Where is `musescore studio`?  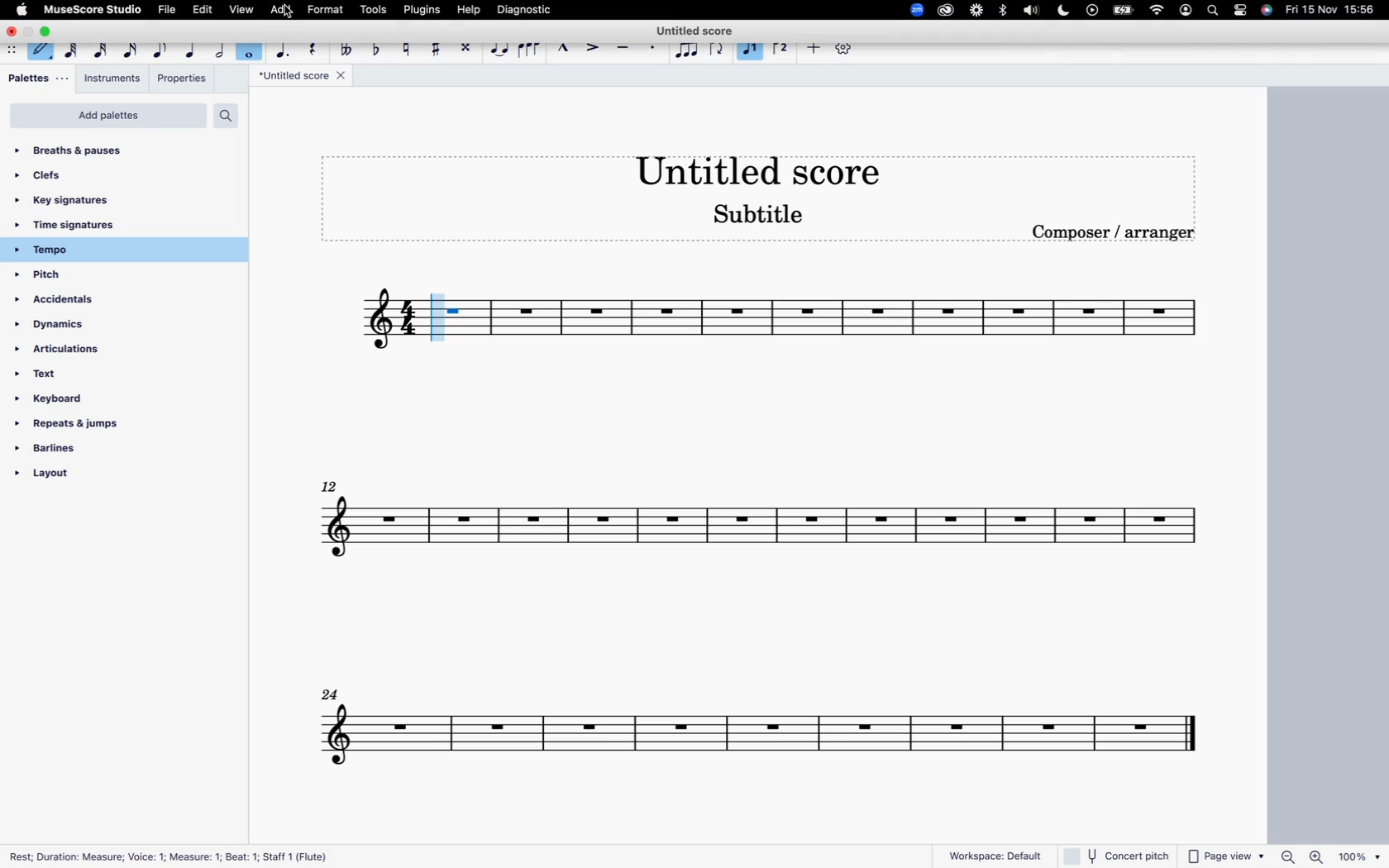
musescore studio is located at coordinates (94, 9).